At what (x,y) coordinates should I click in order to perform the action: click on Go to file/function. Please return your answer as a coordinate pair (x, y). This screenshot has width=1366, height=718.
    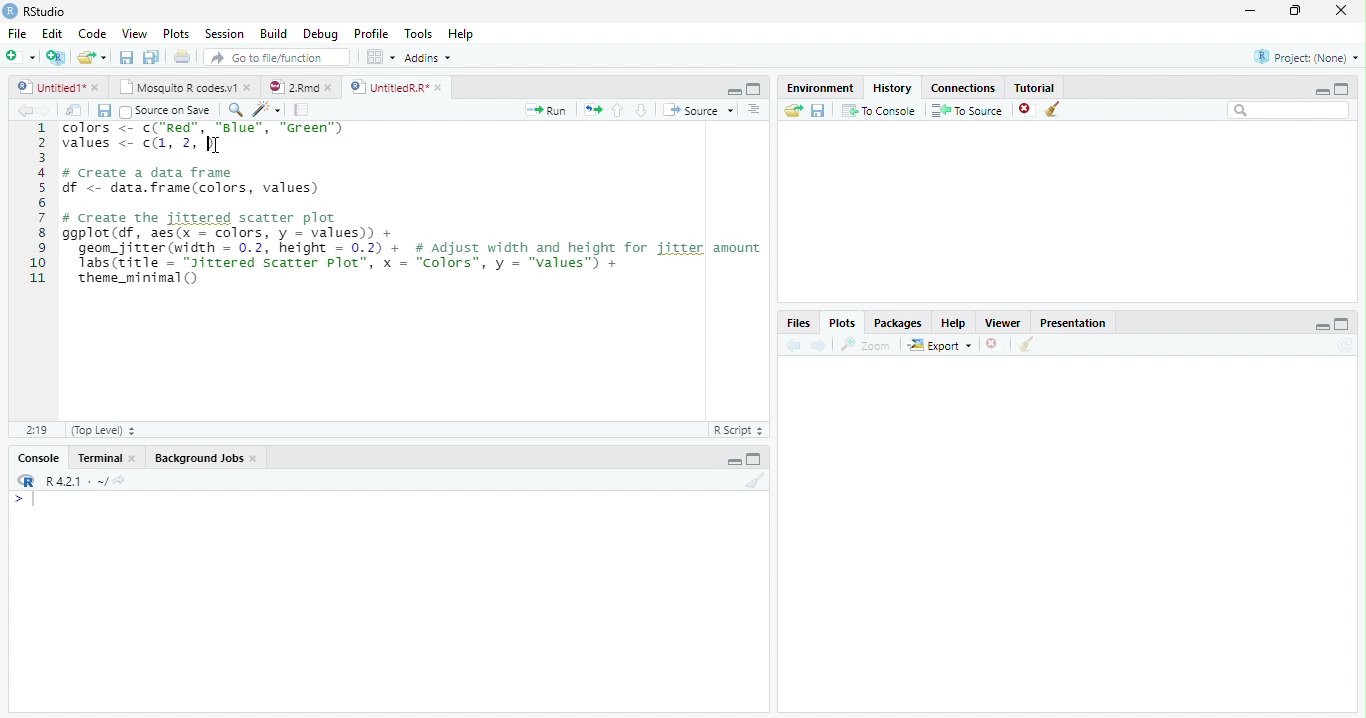
    Looking at the image, I should click on (277, 57).